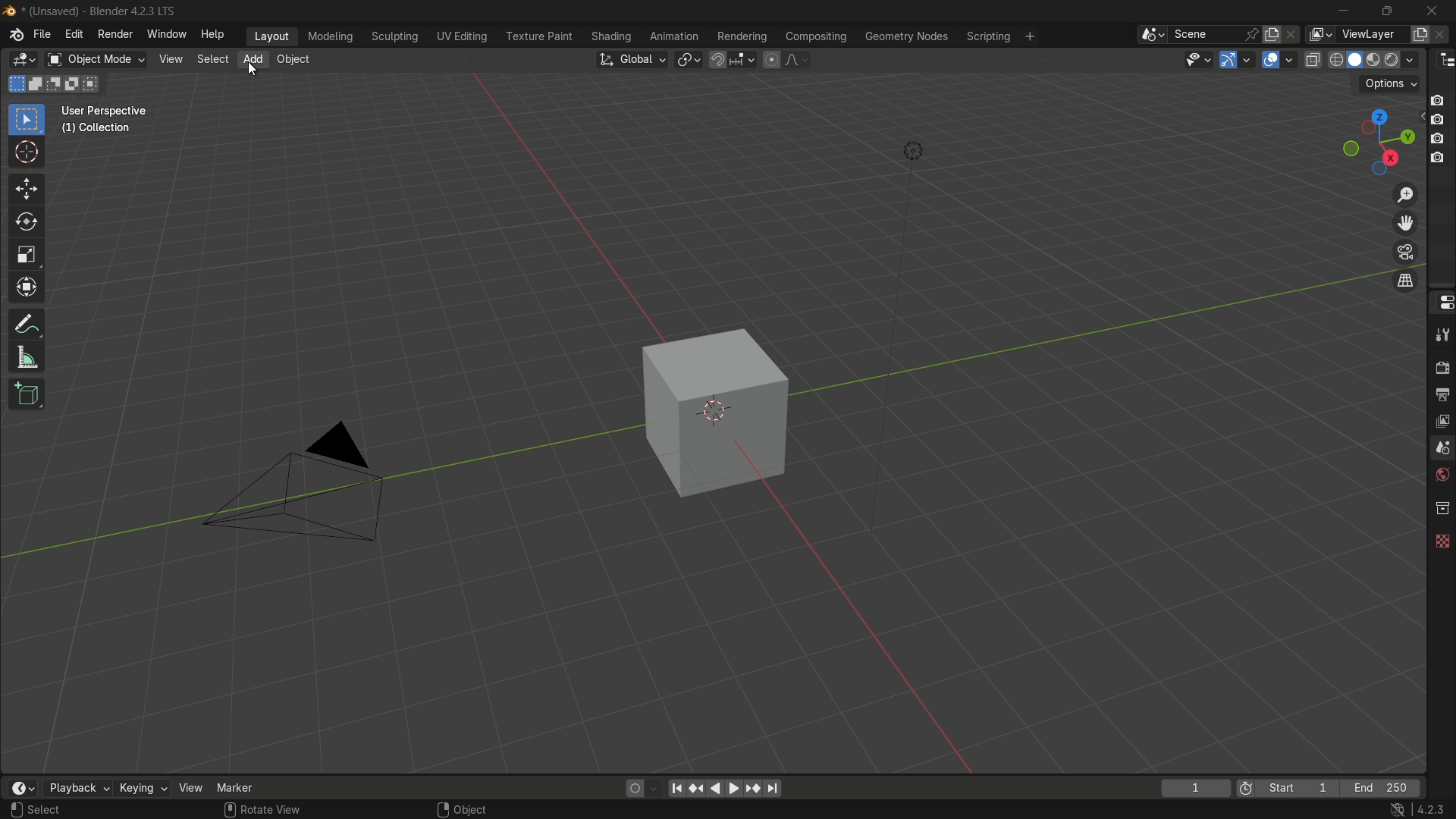  Describe the element at coordinates (26, 223) in the screenshot. I see `rotate` at that location.